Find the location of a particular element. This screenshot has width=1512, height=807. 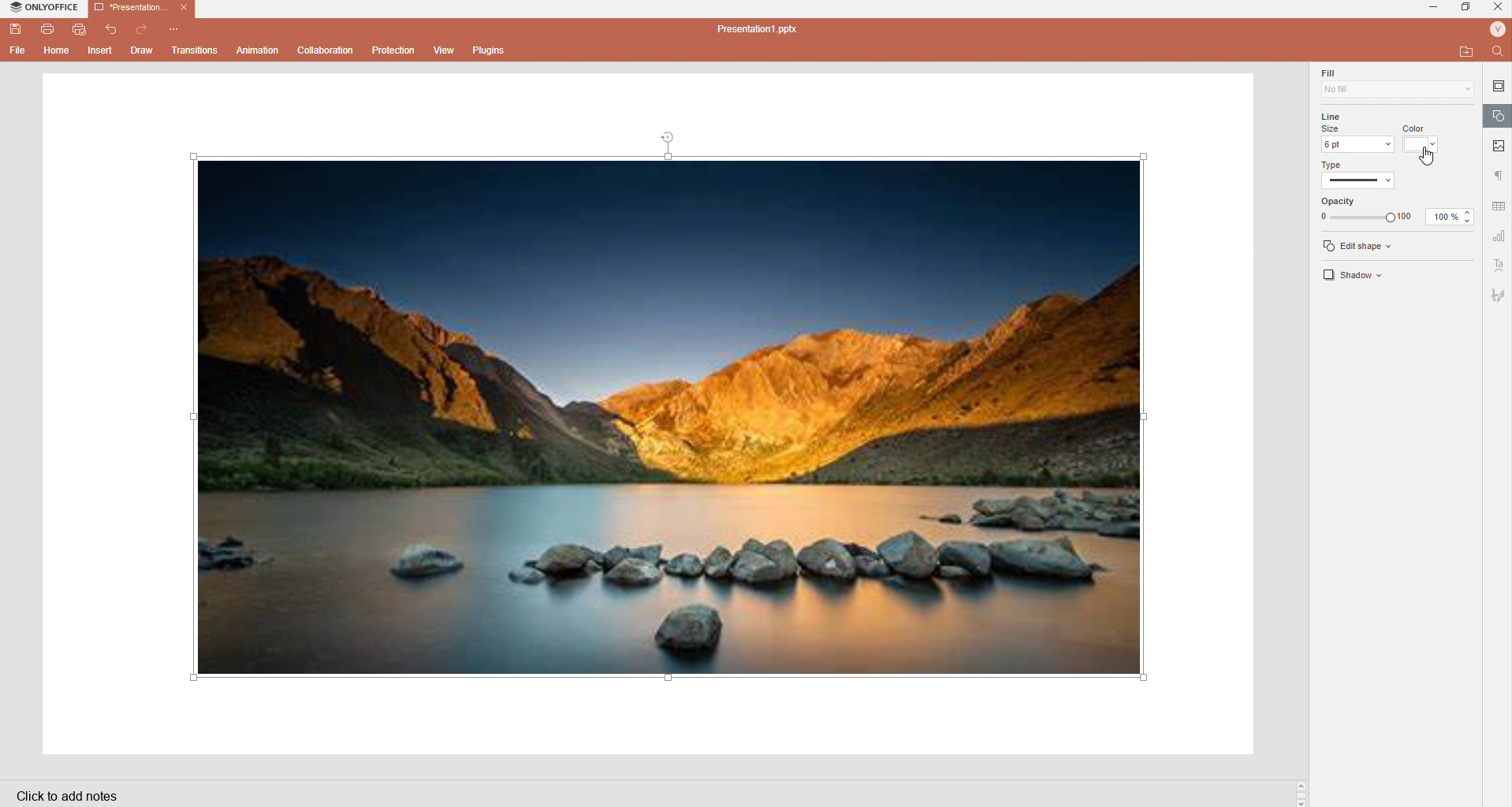

File is located at coordinates (16, 52).